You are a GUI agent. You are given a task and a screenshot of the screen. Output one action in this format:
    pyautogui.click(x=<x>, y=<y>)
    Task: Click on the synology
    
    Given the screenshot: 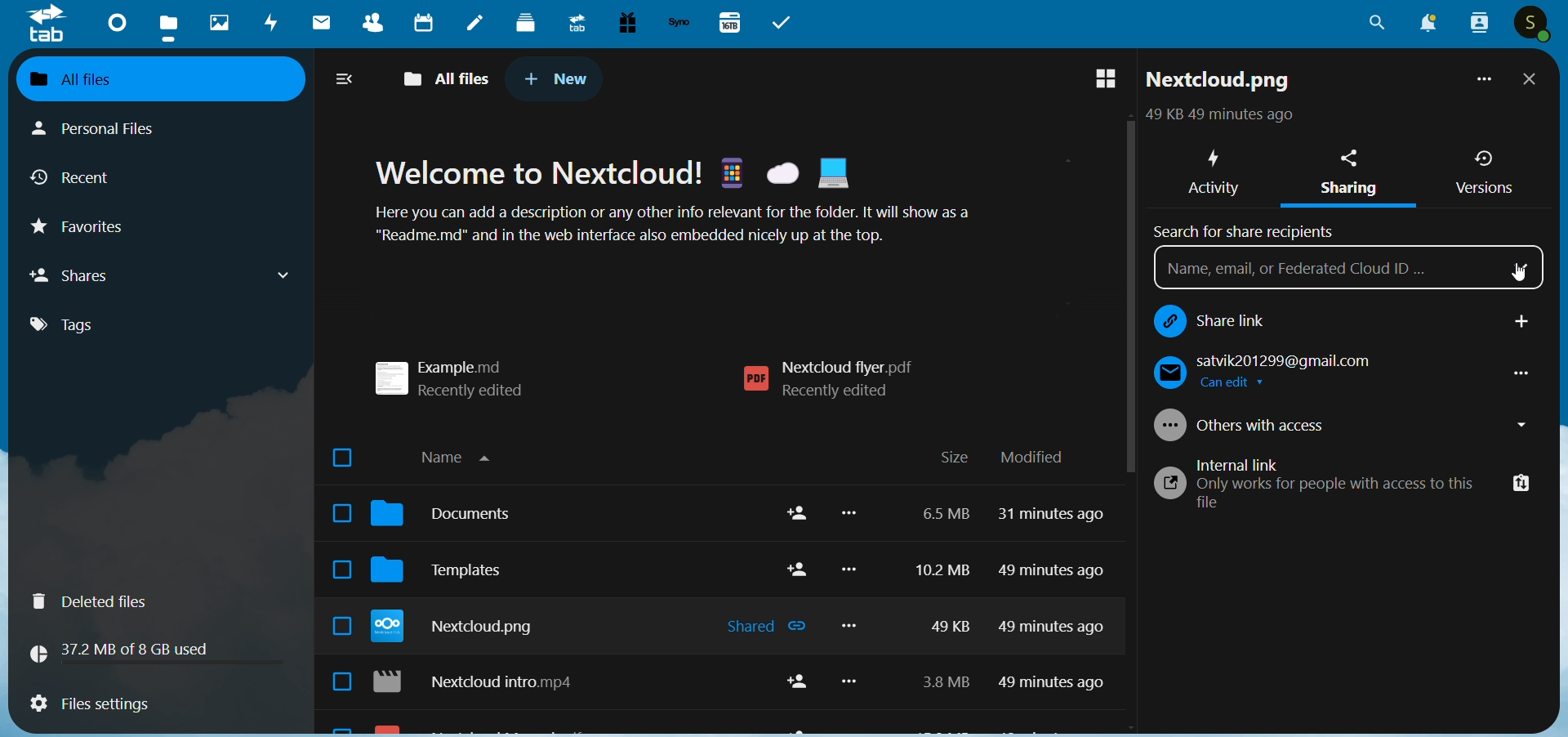 What is the action you would take?
    pyautogui.click(x=679, y=23)
    